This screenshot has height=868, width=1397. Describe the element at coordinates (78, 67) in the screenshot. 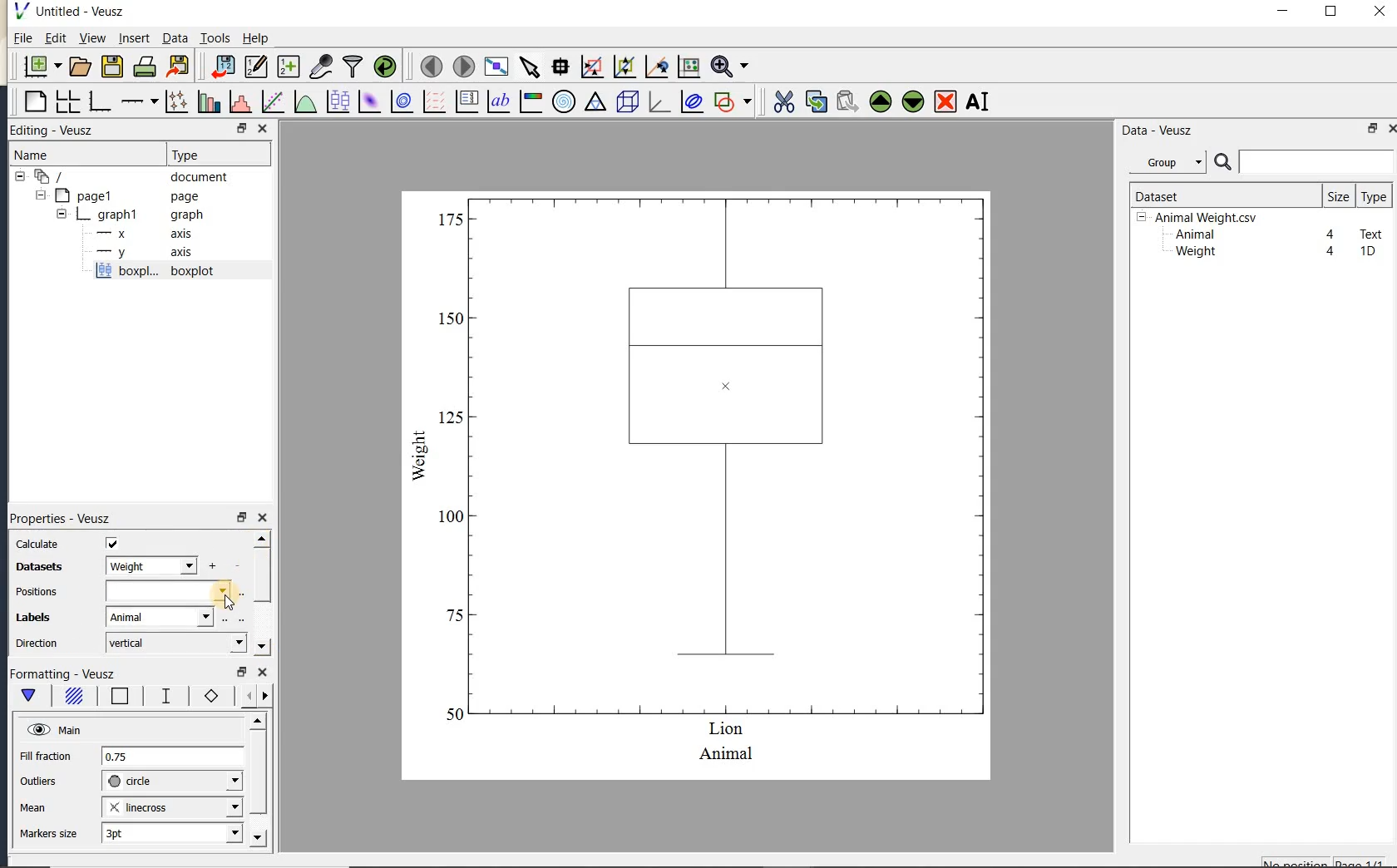

I see `open a document` at that location.